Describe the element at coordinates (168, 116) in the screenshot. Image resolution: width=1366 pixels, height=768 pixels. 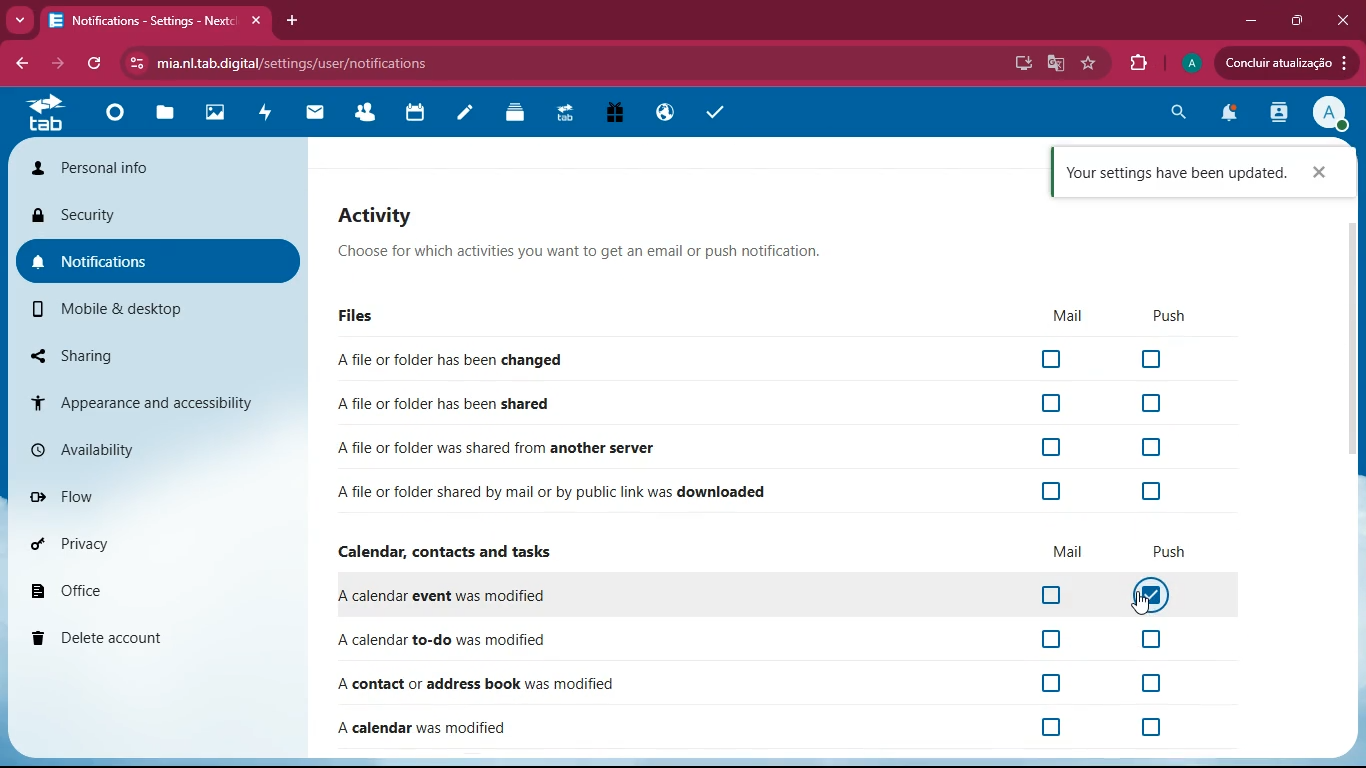
I see `files` at that location.